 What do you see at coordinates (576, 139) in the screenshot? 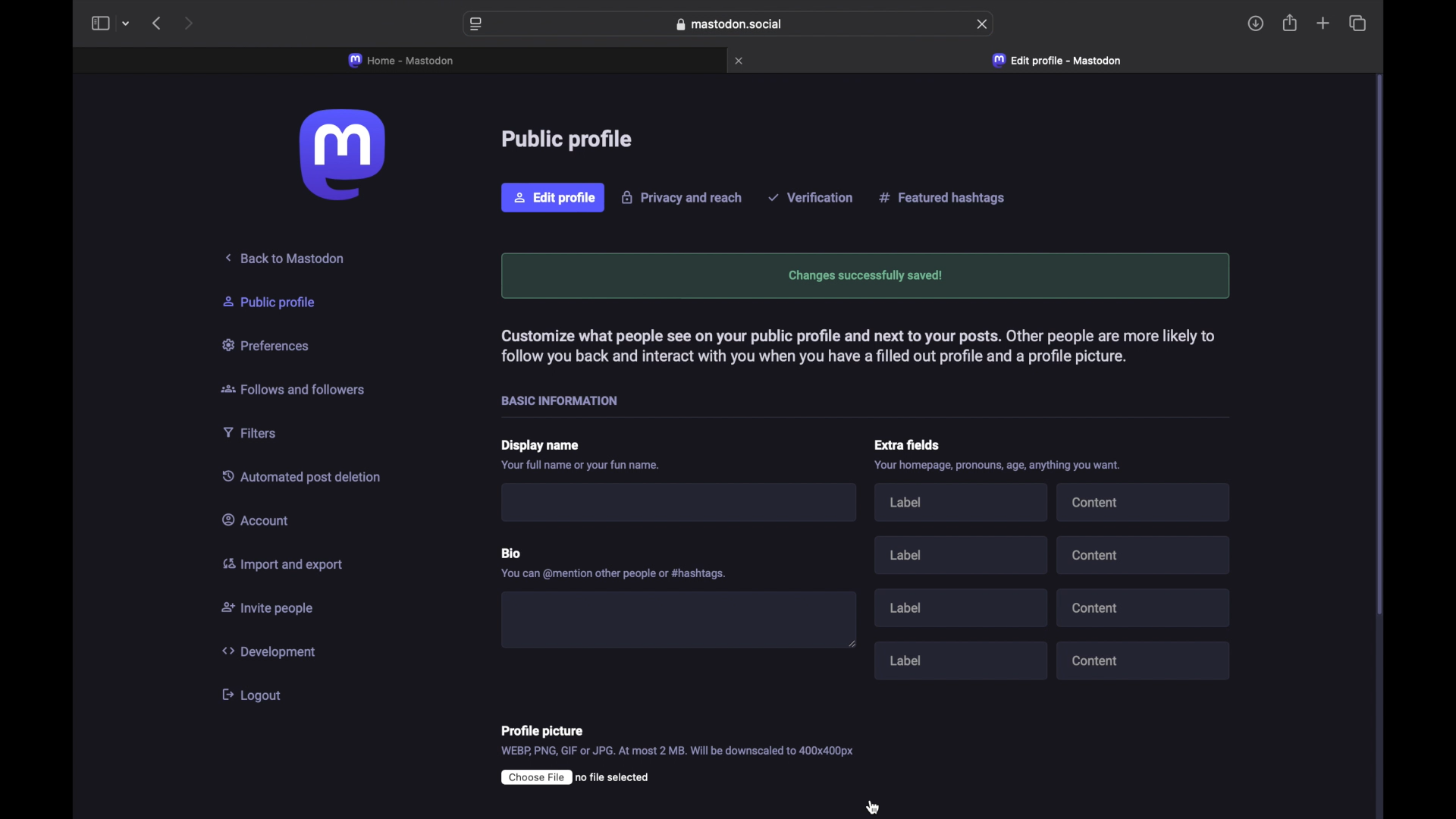
I see `Public profile` at bounding box center [576, 139].